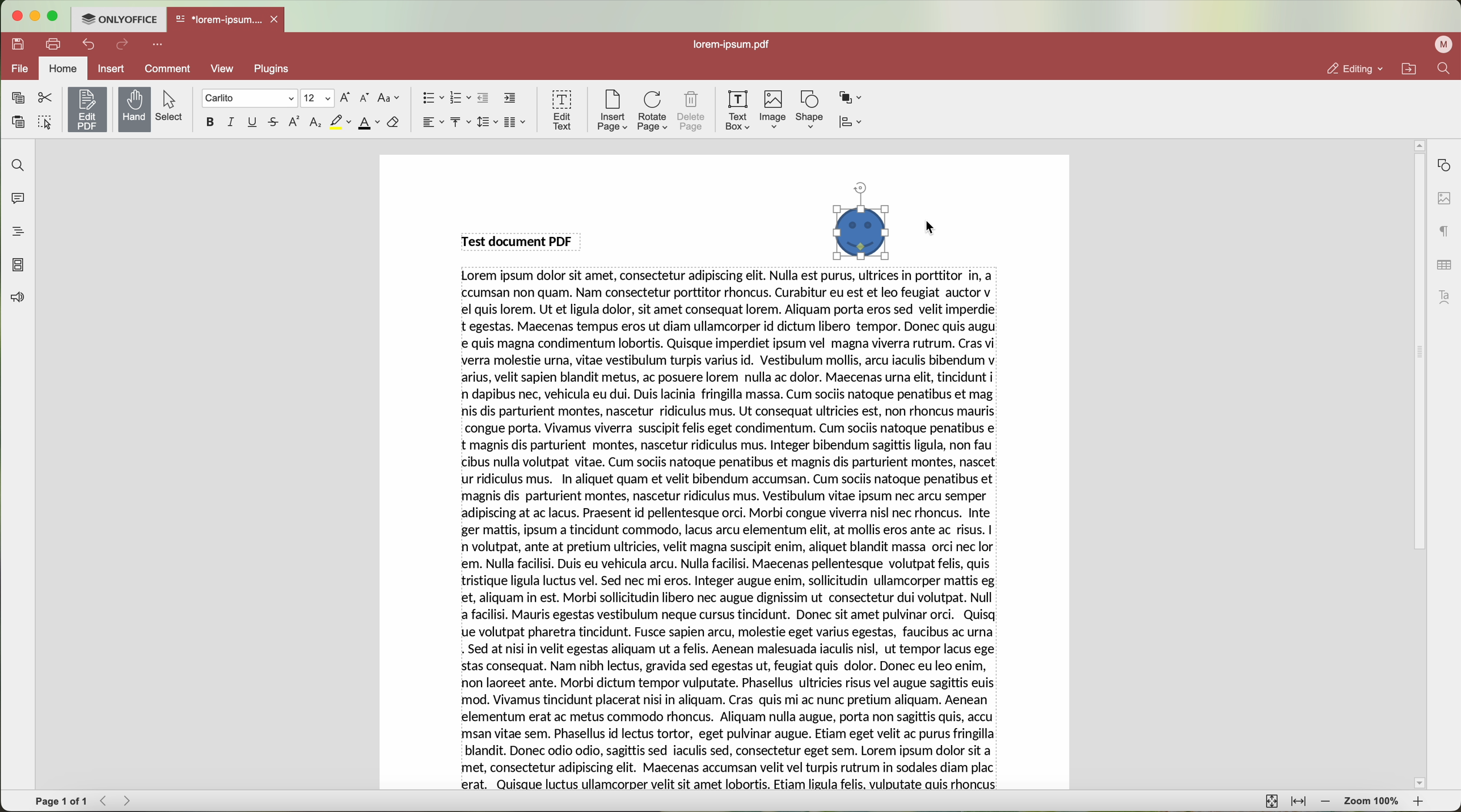  What do you see at coordinates (90, 44) in the screenshot?
I see `undo` at bounding box center [90, 44].